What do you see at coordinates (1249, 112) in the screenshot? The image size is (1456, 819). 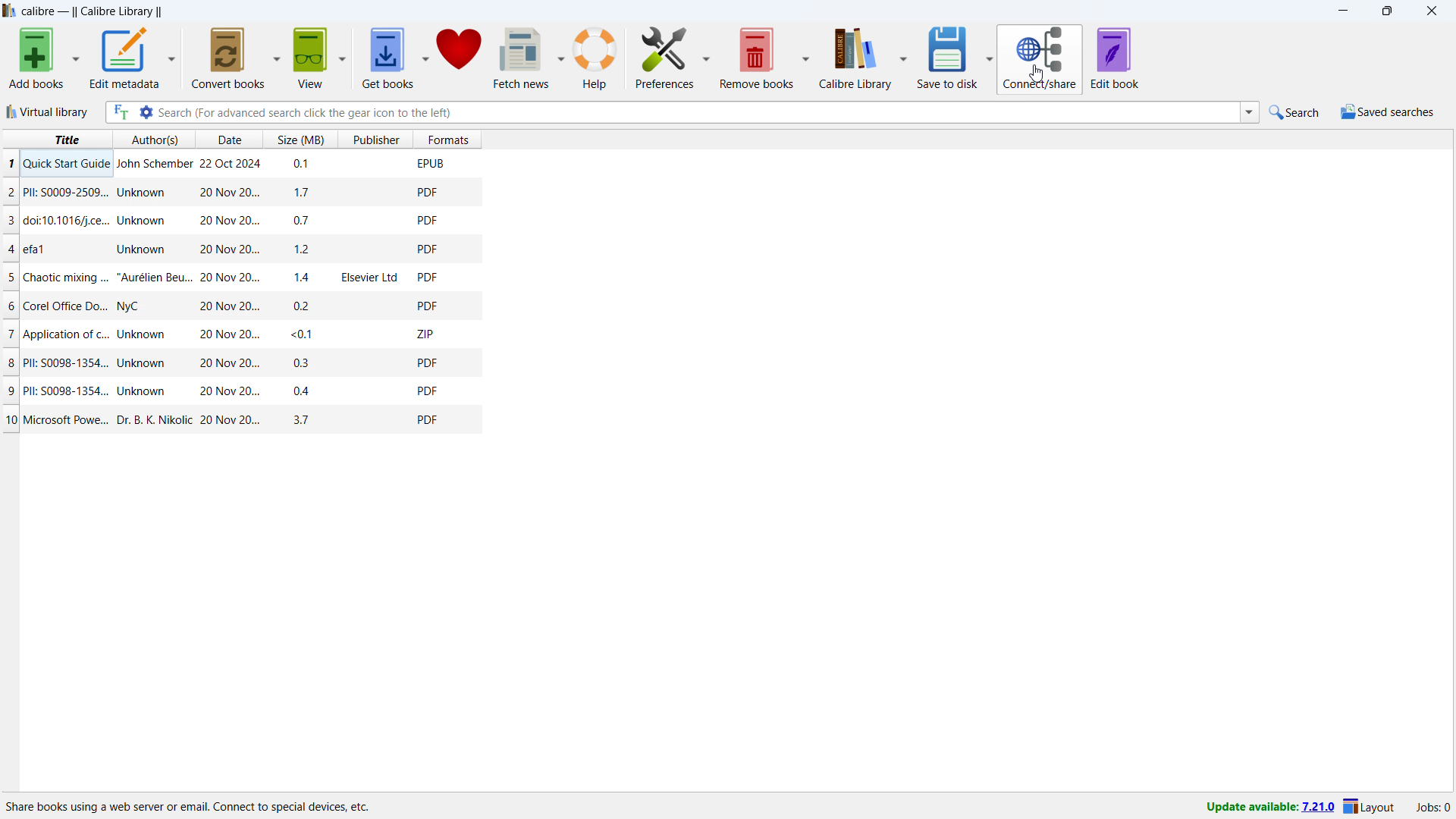 I see `search history` at bounding box center [1249, 112].